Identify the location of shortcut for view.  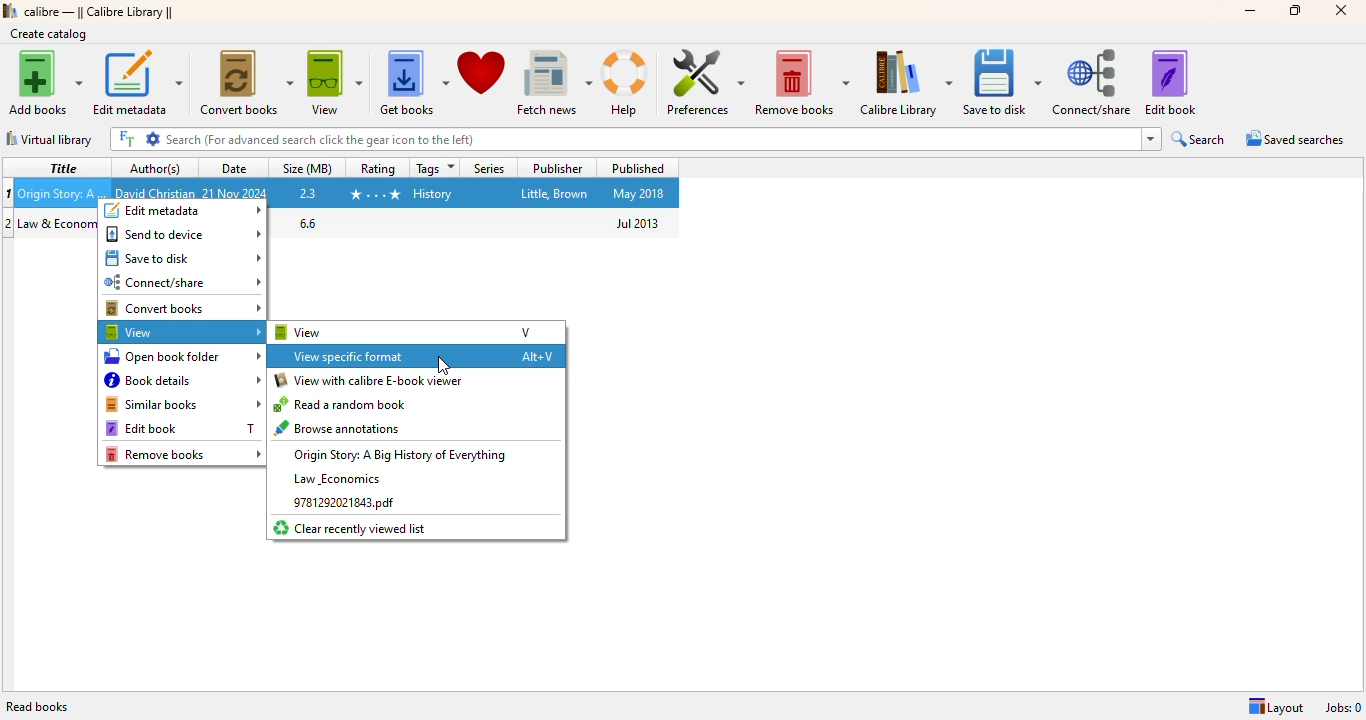
(526, 331).